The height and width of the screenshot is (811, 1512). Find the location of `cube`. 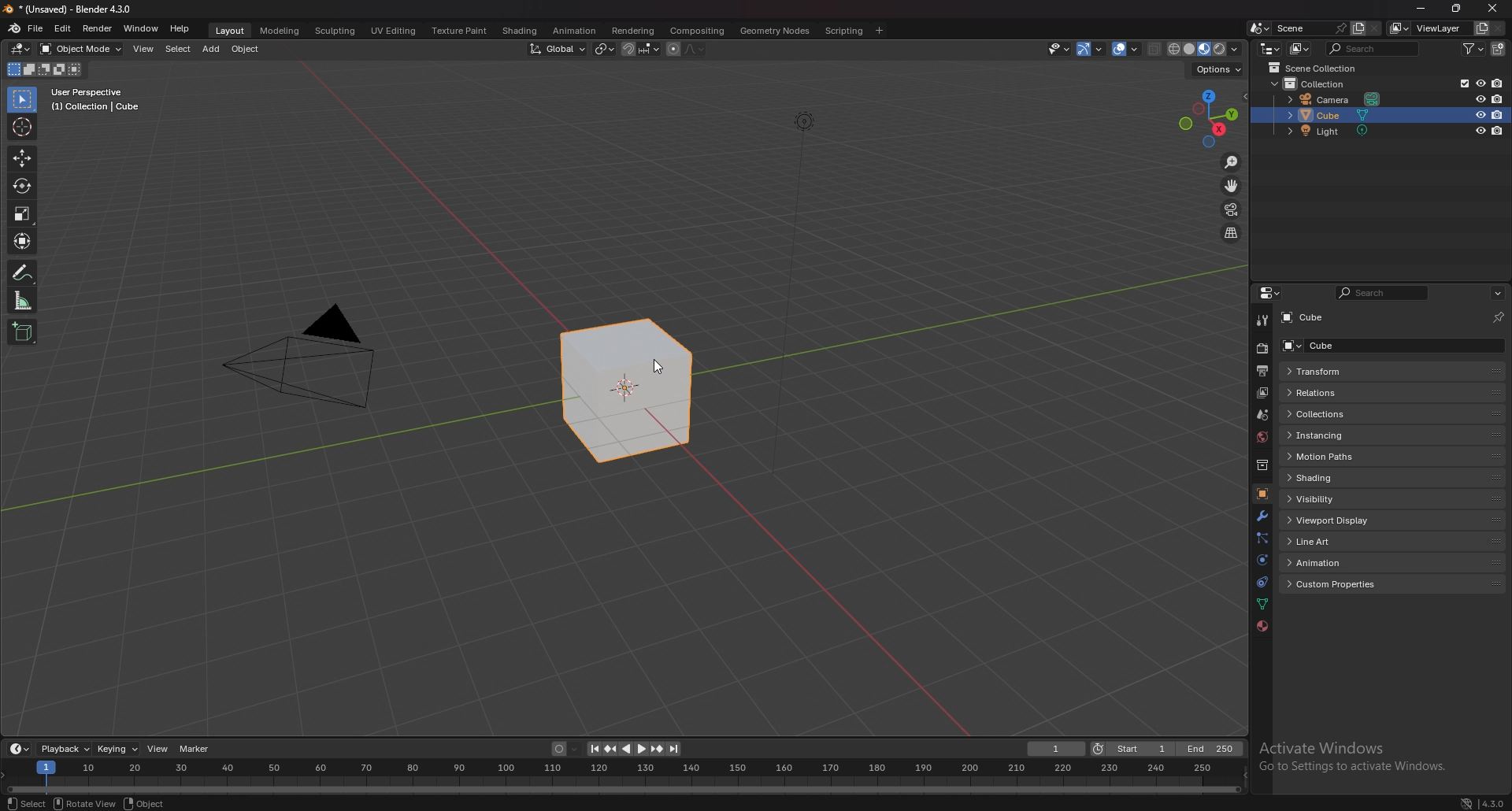

cube is located at coordinates (1330, 115).